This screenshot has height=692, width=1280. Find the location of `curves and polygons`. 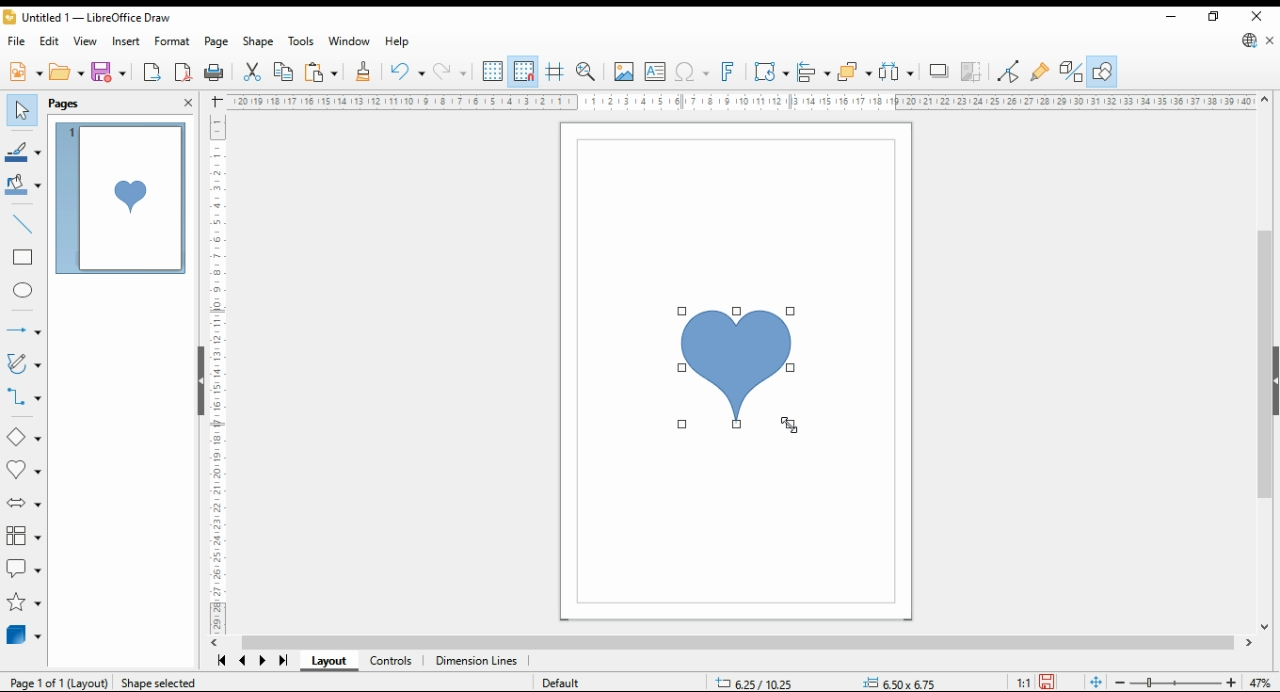

curves and polygons is located at coordinates (24, 364).